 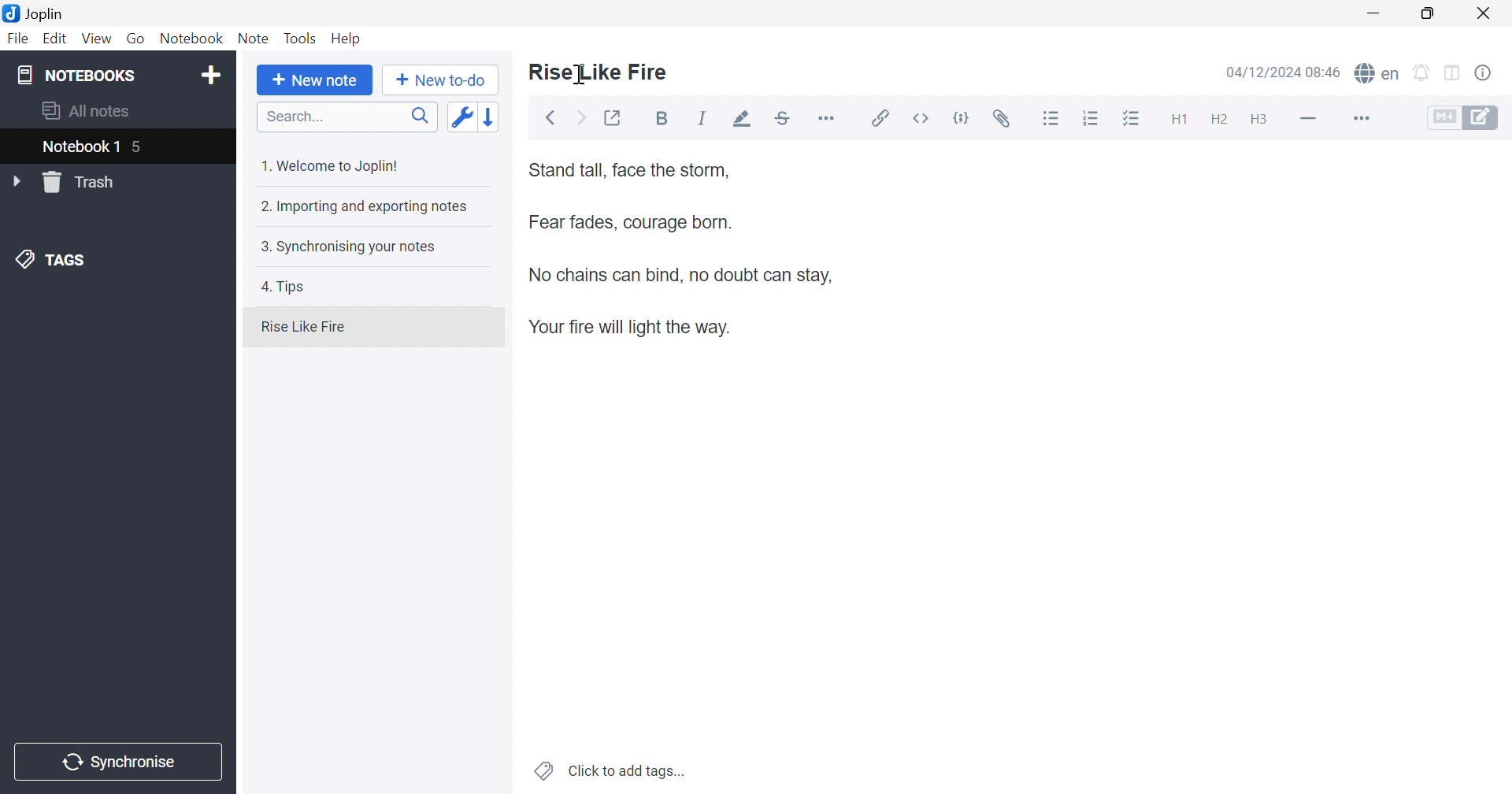 What do you see at coordinates (922, 118) in the screenshot?
I see `Inline code` at bounding box center [922, 118].